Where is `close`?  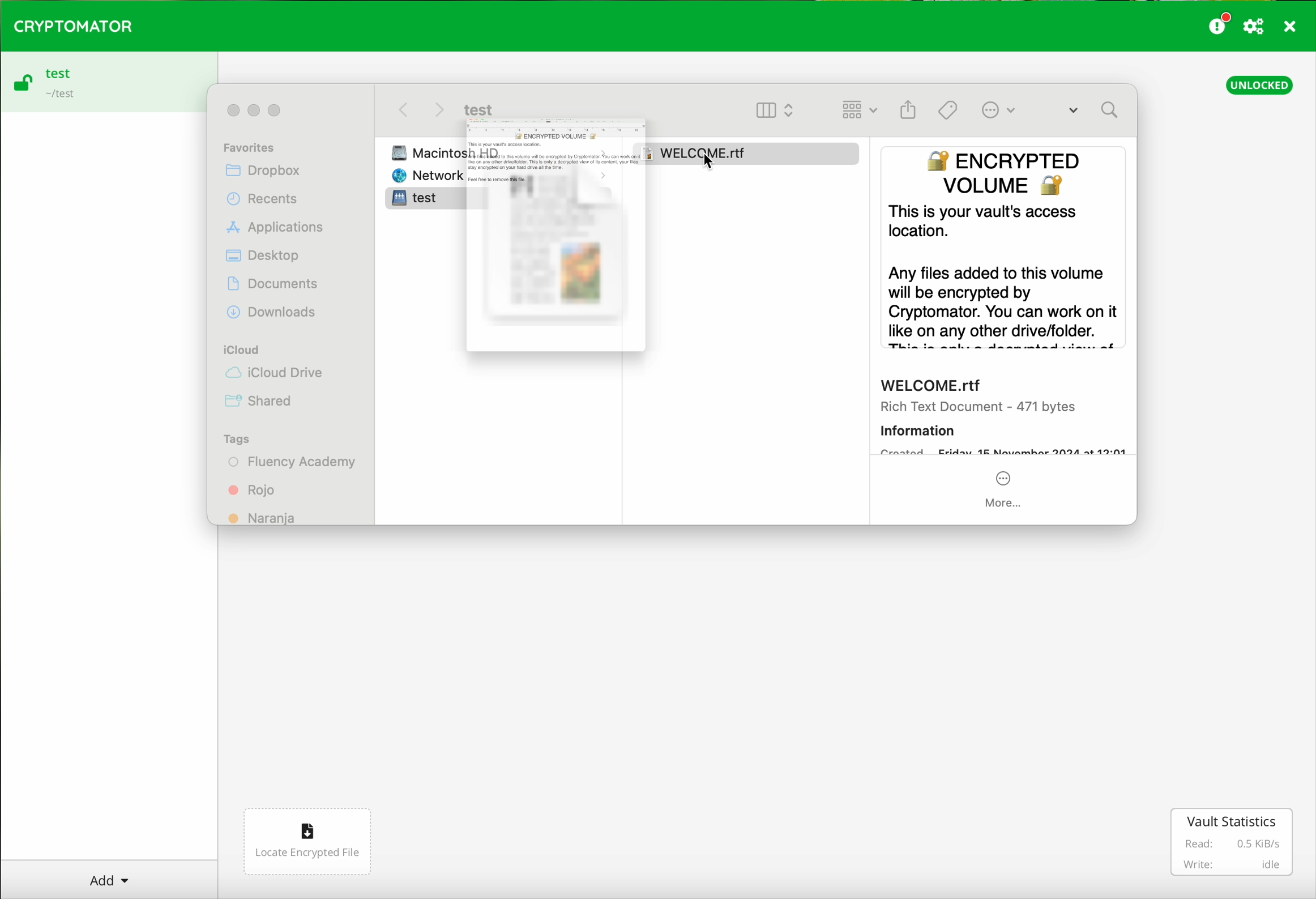
close is located at coordinates (1291, 28).